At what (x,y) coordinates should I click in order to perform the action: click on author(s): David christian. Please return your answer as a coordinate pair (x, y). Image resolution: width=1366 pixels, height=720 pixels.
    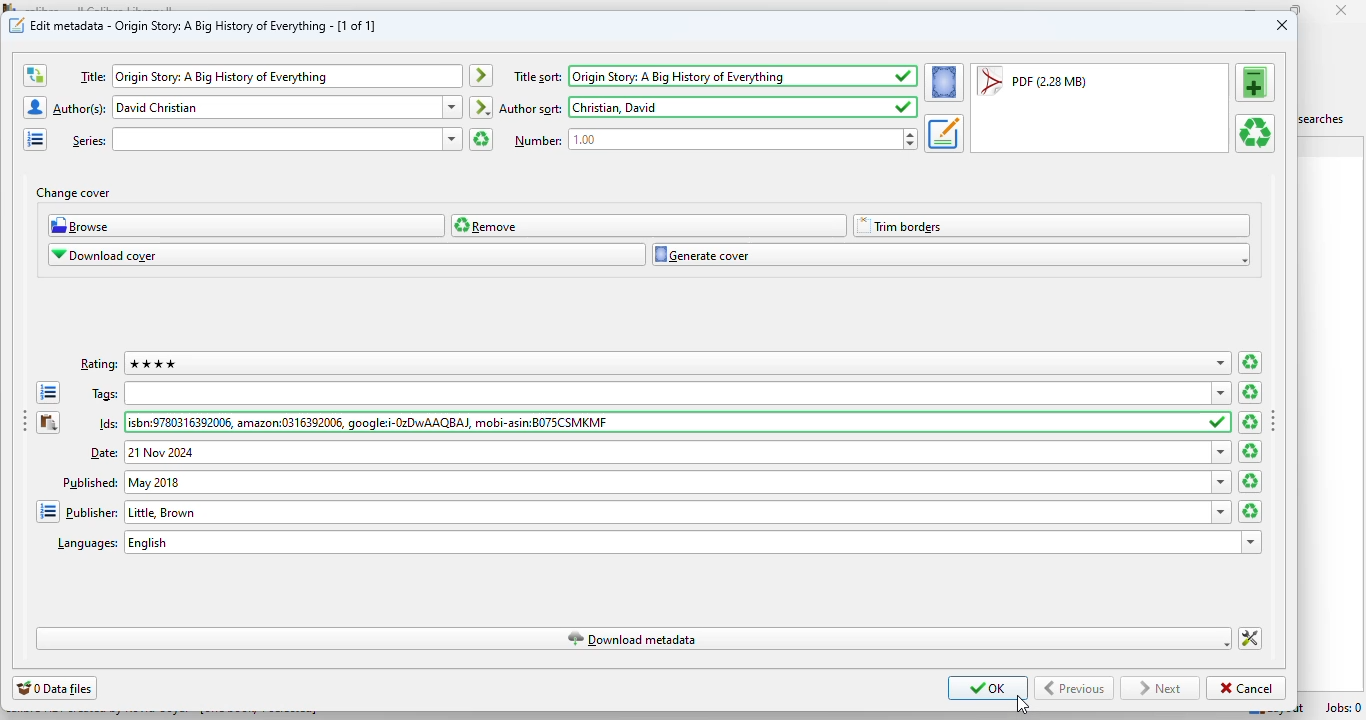
    Looking at the image, I should click on (276, 107).